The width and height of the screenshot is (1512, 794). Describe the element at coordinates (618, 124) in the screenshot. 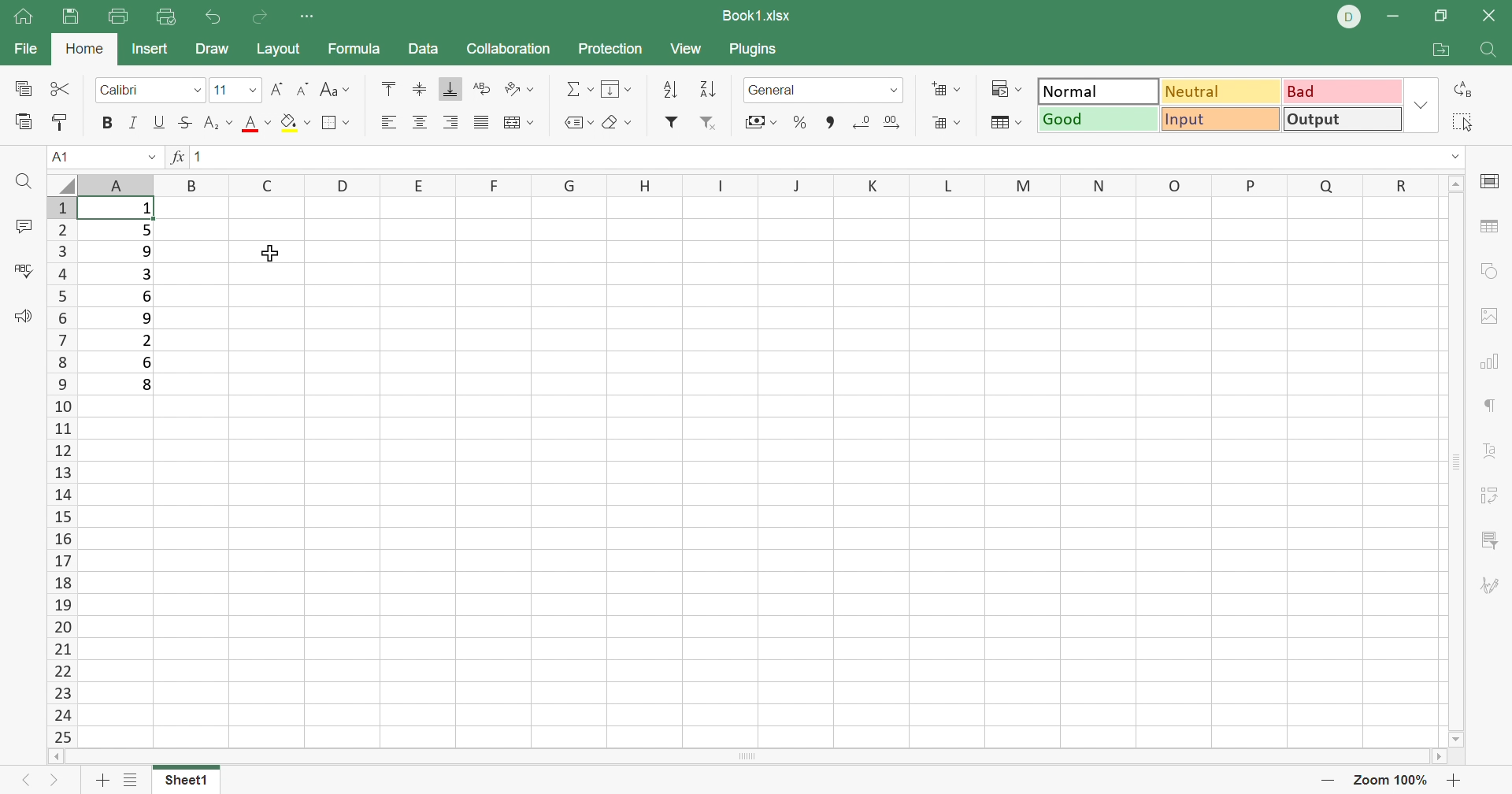

I see `Clear style` at that location.